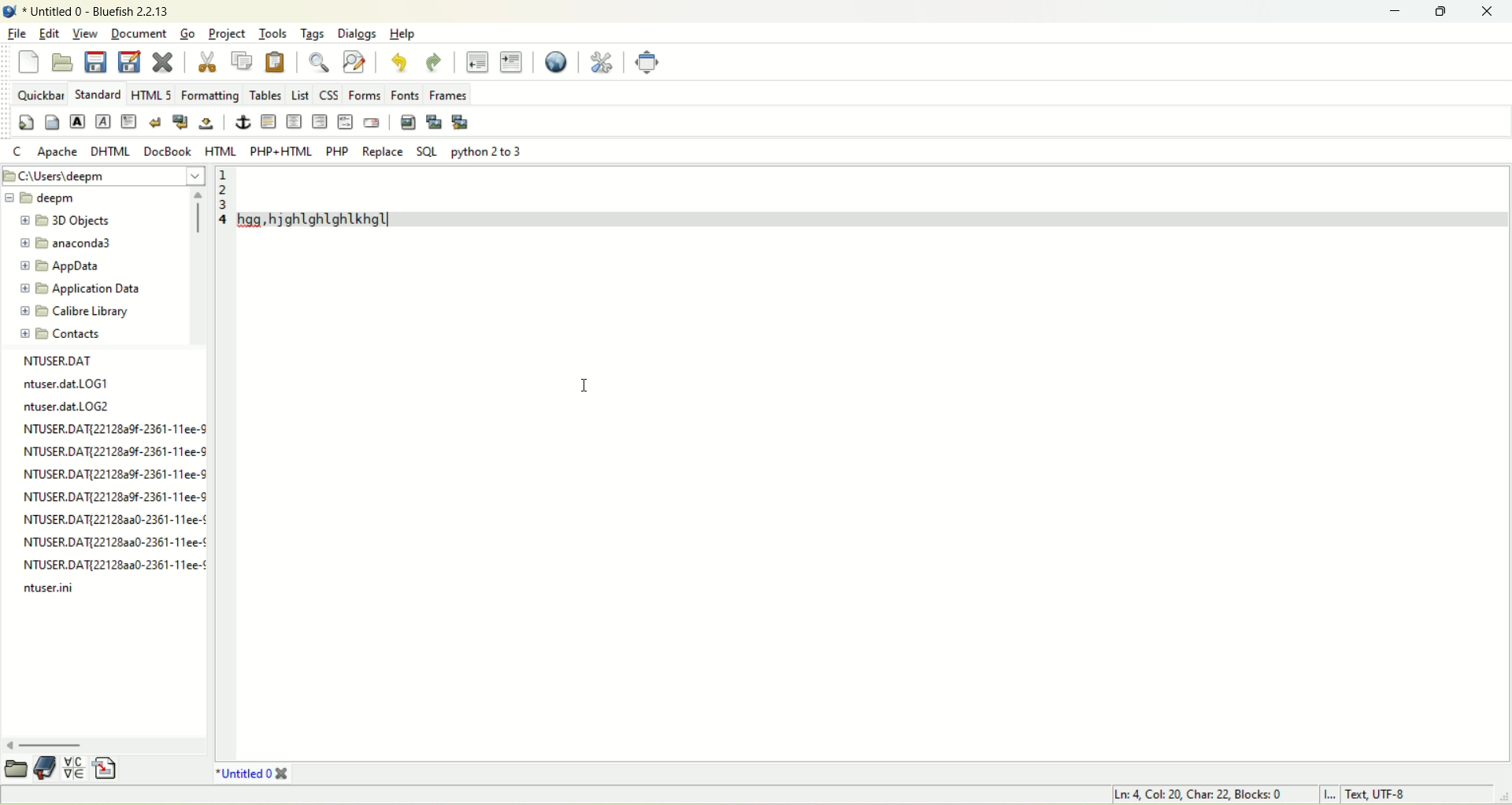 The image size is (1512, 805). I want to click on save as, so click(130, 62).